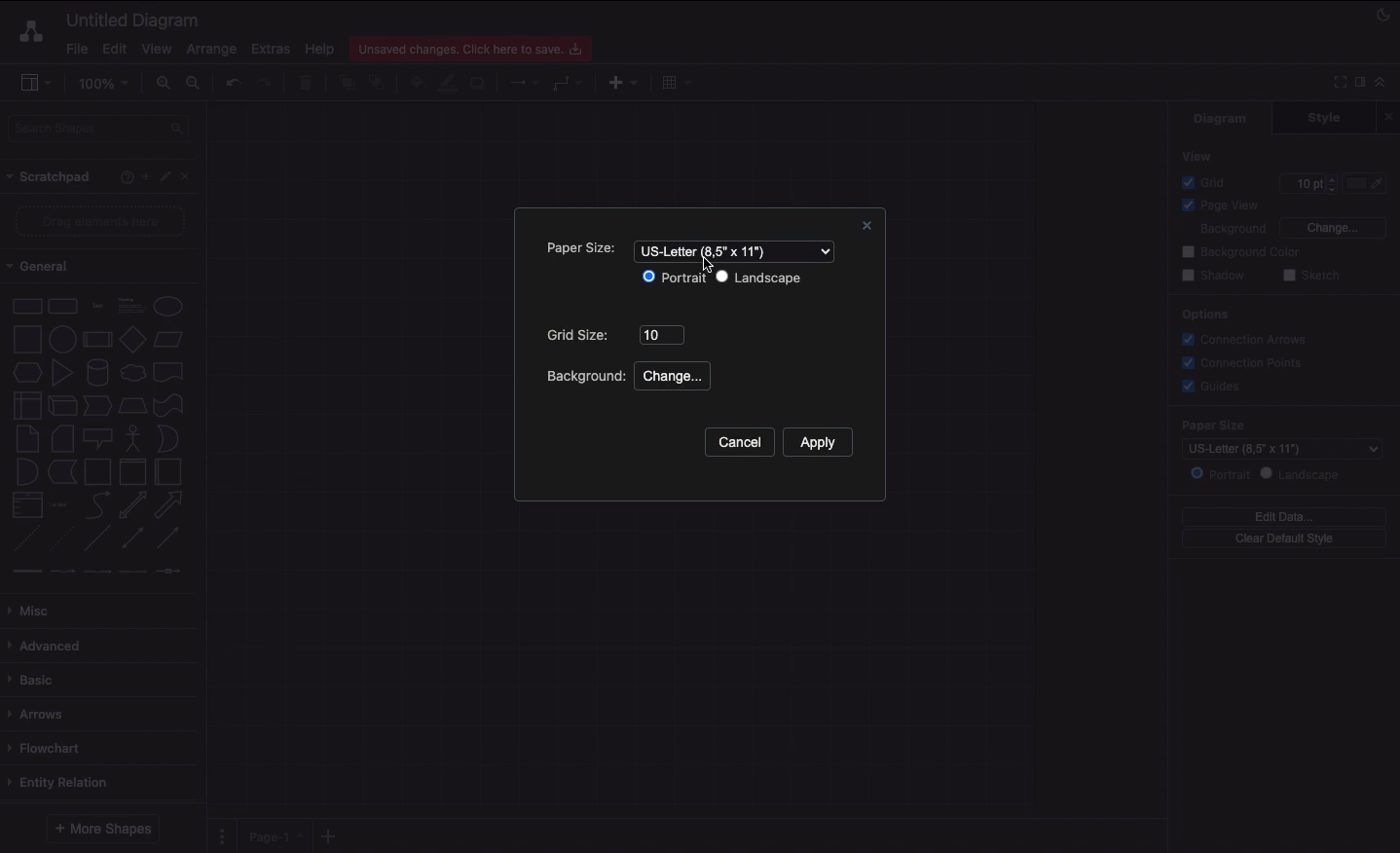 The width and height of the screenshot is (1400, 853). I want to click on Sketch , so click(1312, 277).